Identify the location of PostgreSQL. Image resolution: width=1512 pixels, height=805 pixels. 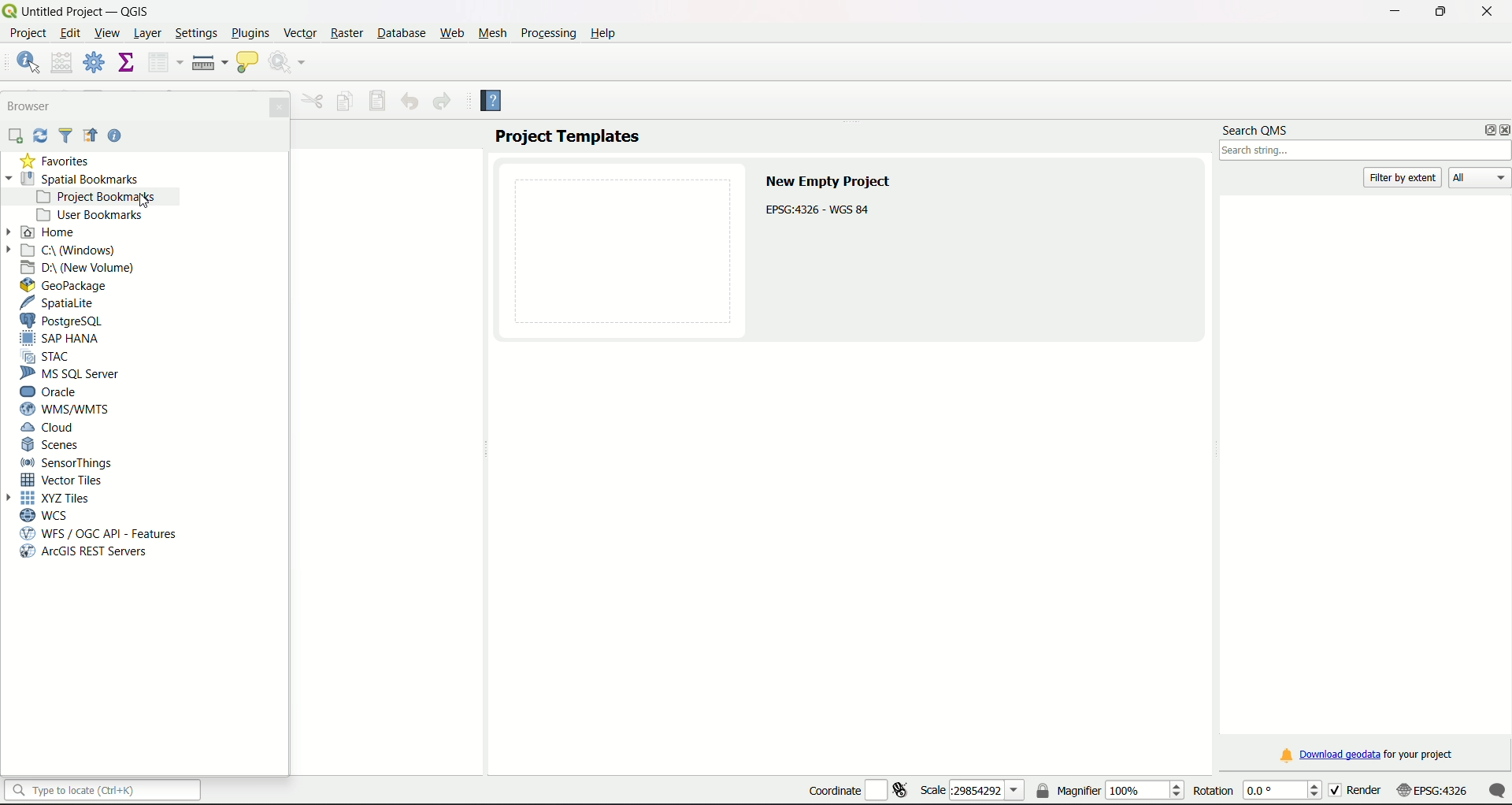
(72, 321).